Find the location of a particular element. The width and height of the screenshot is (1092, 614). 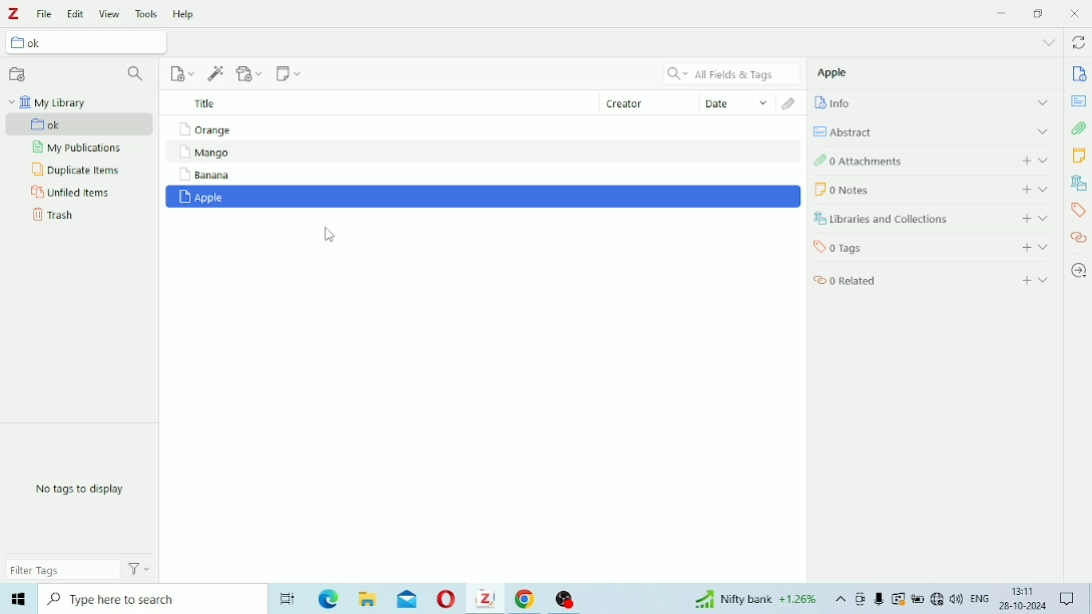

expand is located at coordinates (1045, 217).